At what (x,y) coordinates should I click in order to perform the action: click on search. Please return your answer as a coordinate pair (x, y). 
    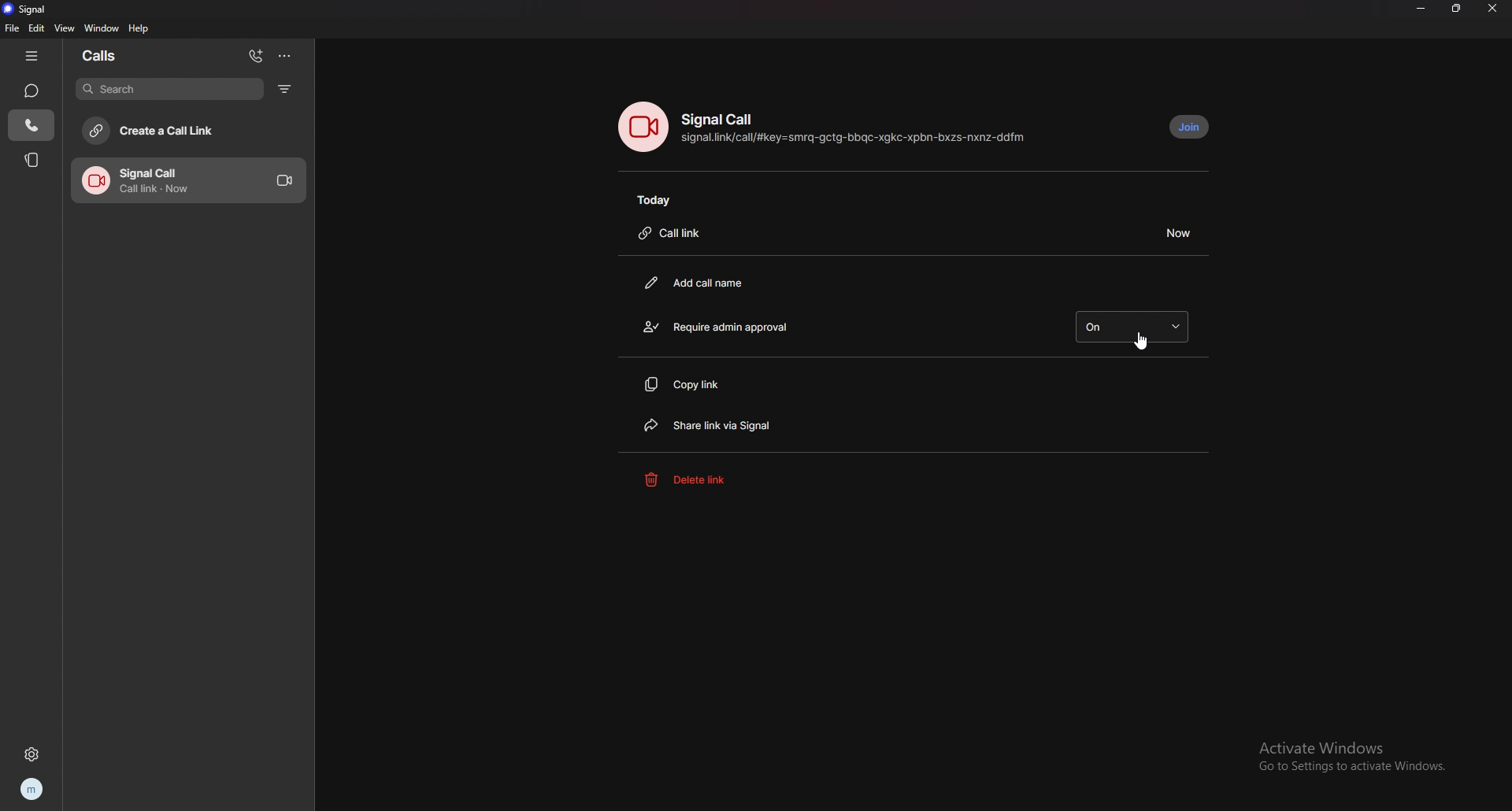
    Looking at the image, I should click on (171, 89).